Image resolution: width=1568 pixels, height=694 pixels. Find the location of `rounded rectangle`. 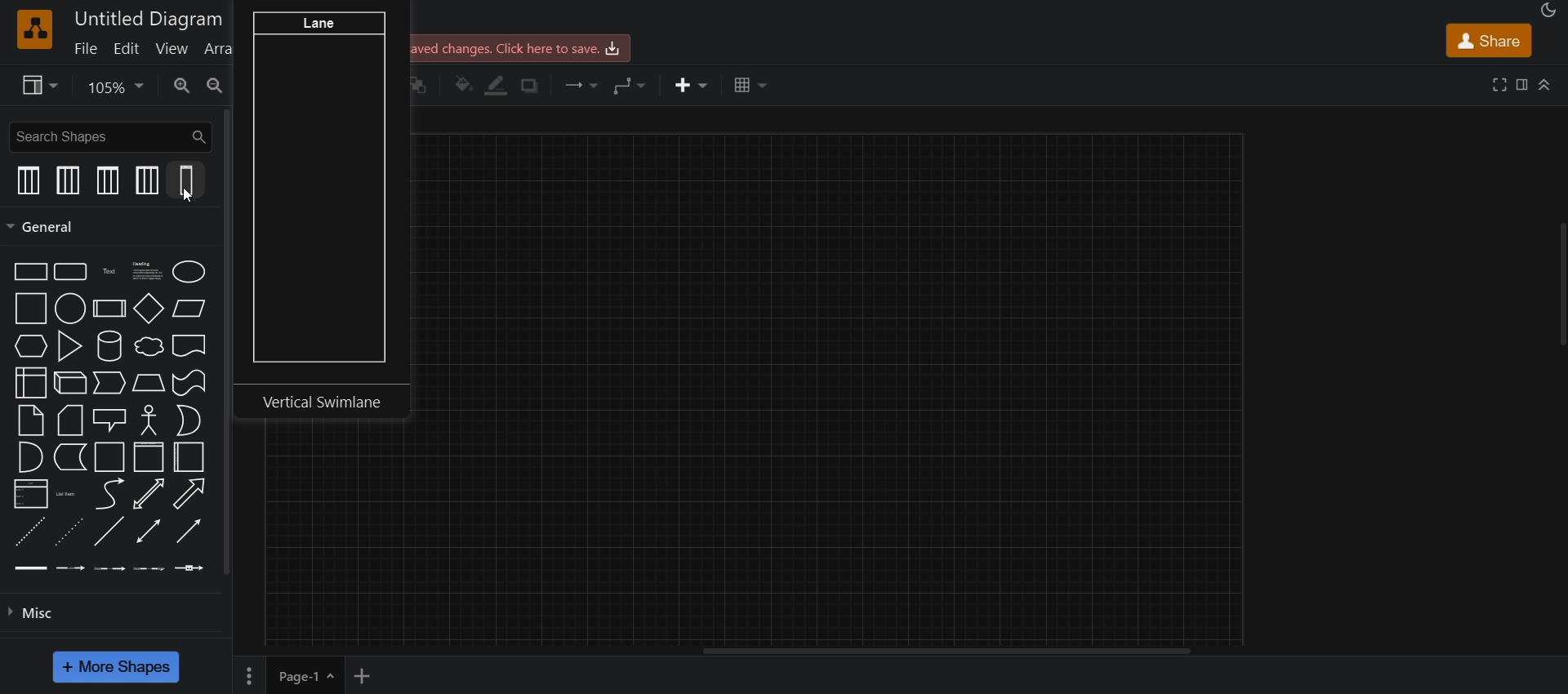

rounded rectangle is located at coordinates (71, 273).